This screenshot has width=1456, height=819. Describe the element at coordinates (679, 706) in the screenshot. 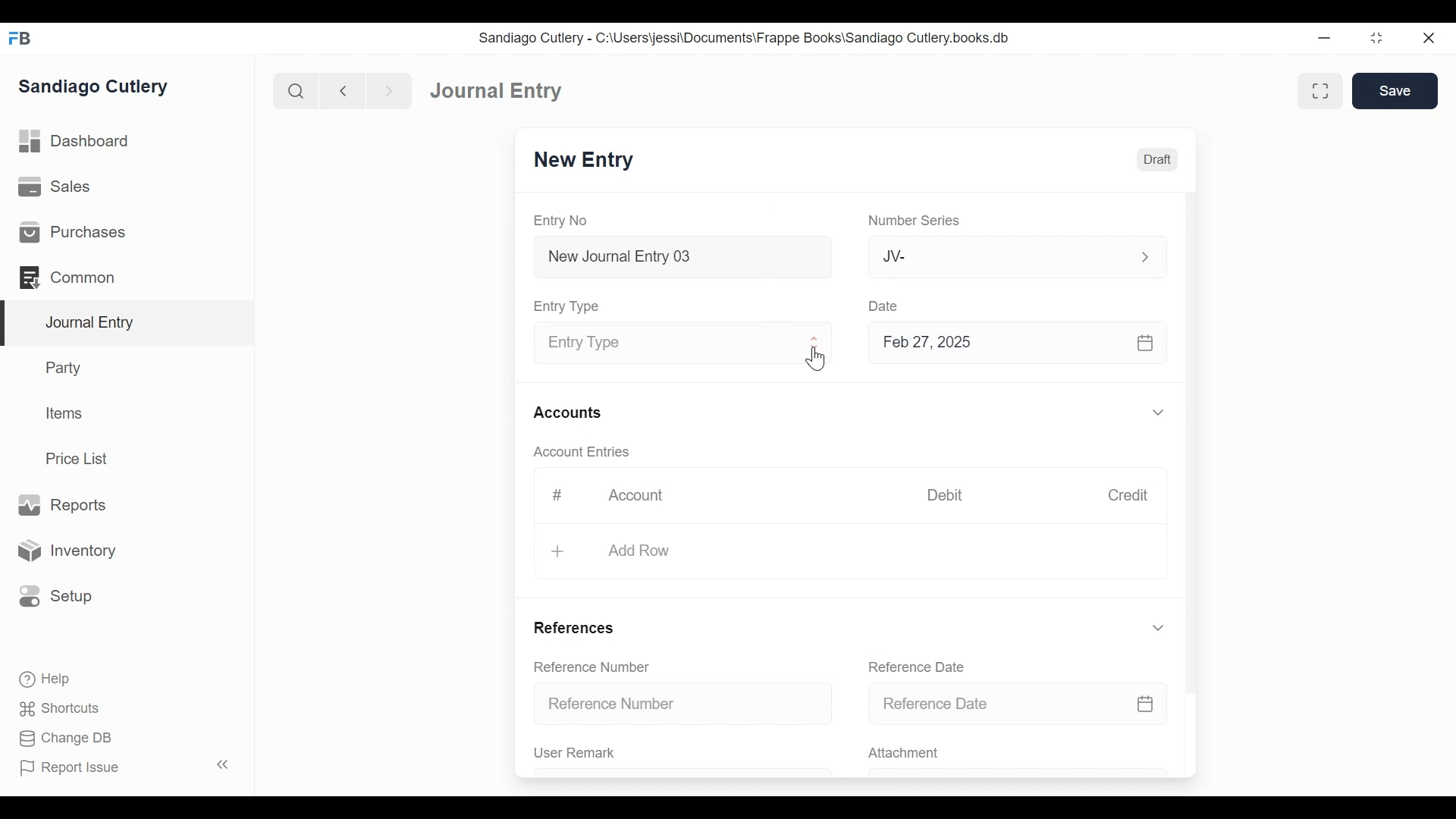

I see `Reference Number` at that location.